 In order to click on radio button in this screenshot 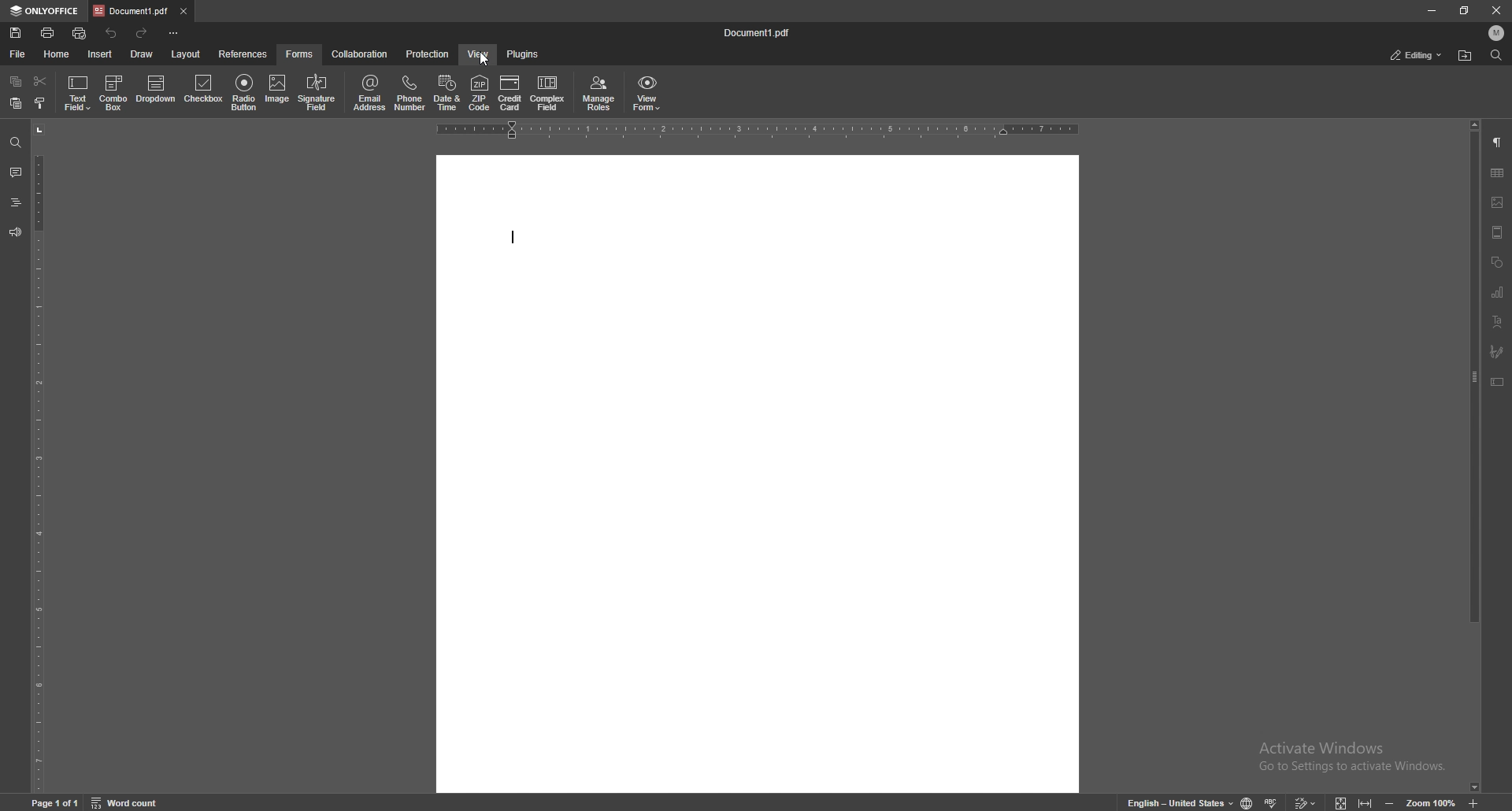, I will do `click(245, 91)`.